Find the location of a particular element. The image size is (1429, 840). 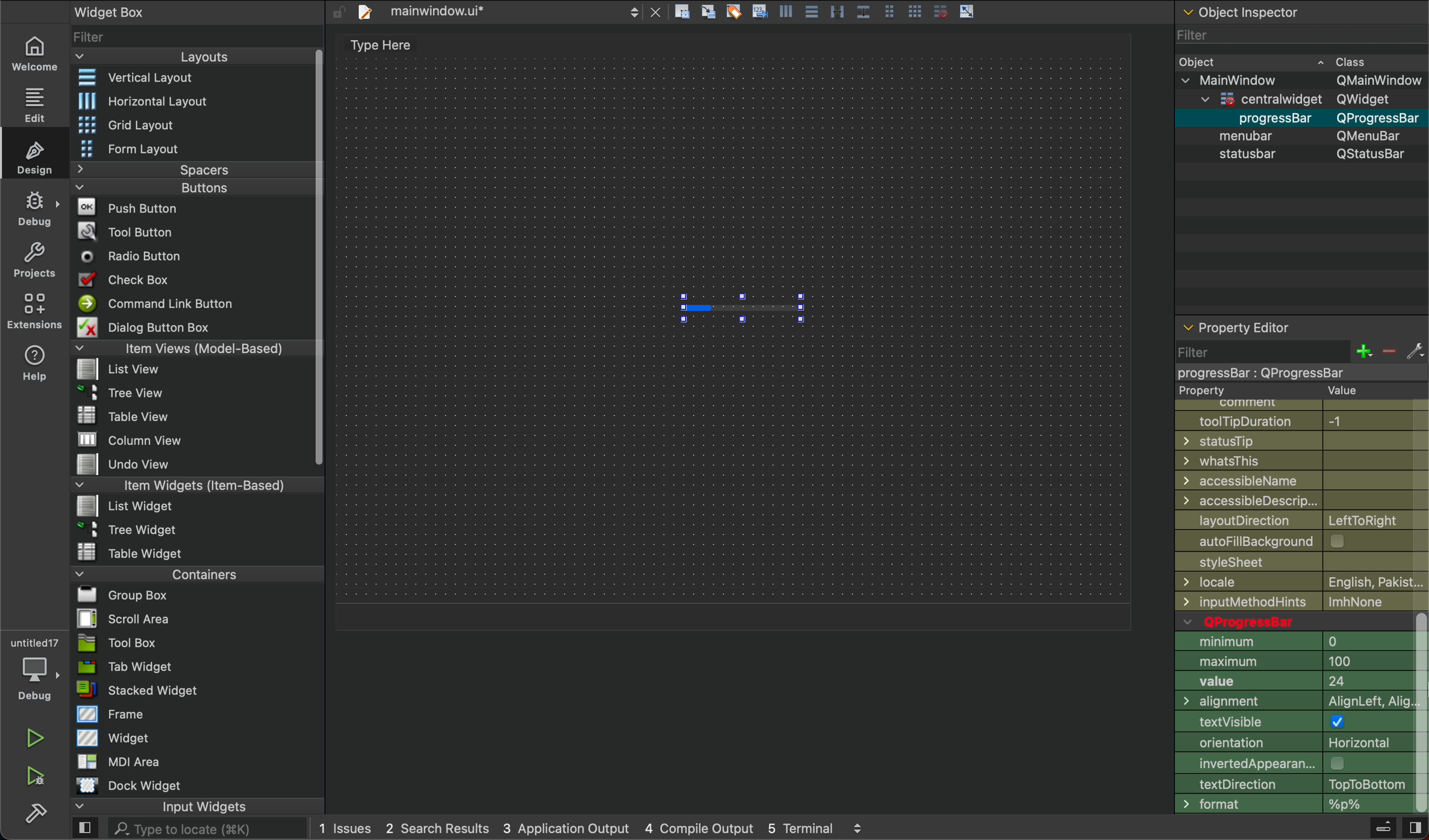

debug is located at coordinates (36, 209).